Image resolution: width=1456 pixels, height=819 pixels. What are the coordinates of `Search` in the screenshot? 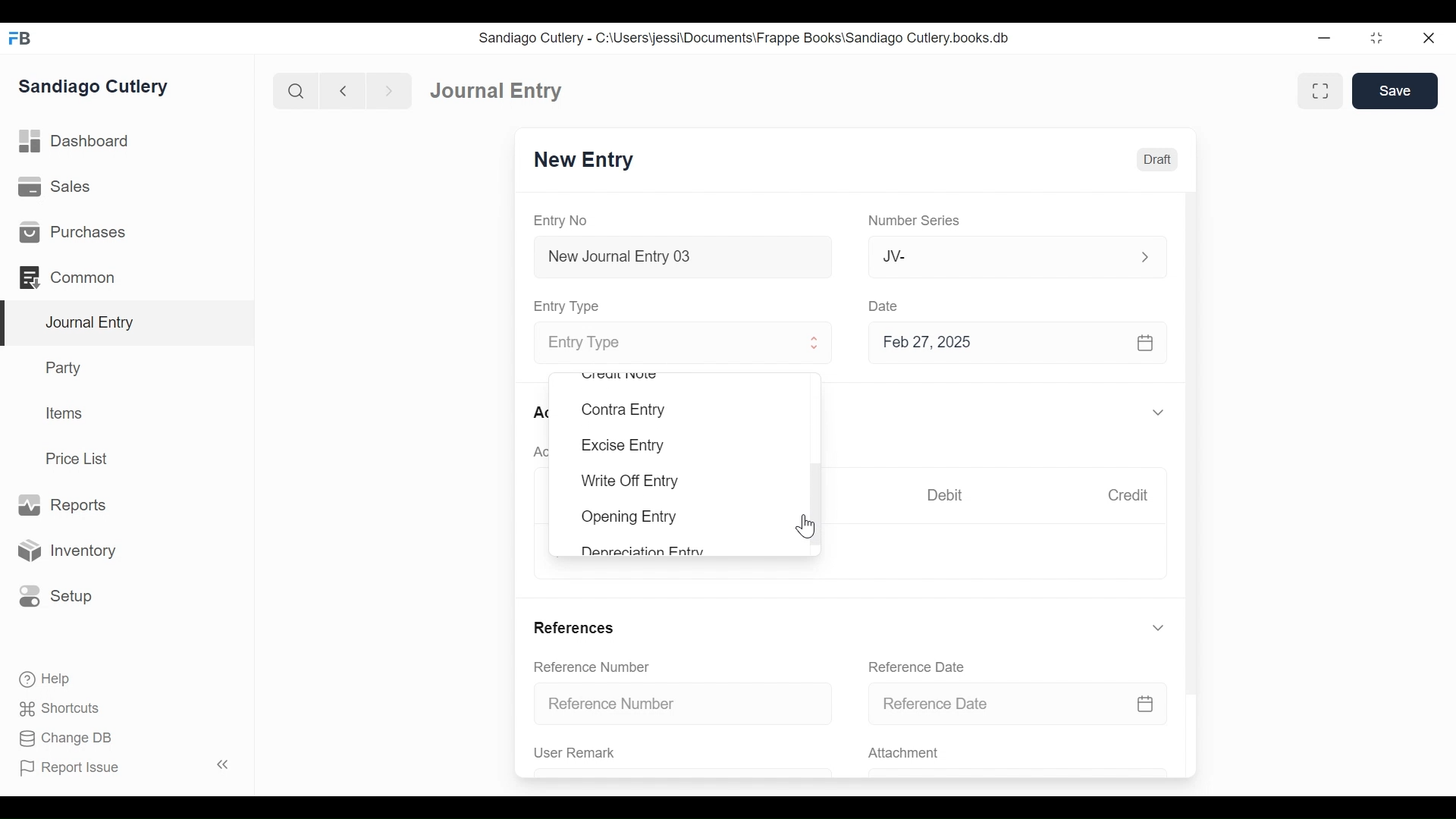 It's located at (294, 90).